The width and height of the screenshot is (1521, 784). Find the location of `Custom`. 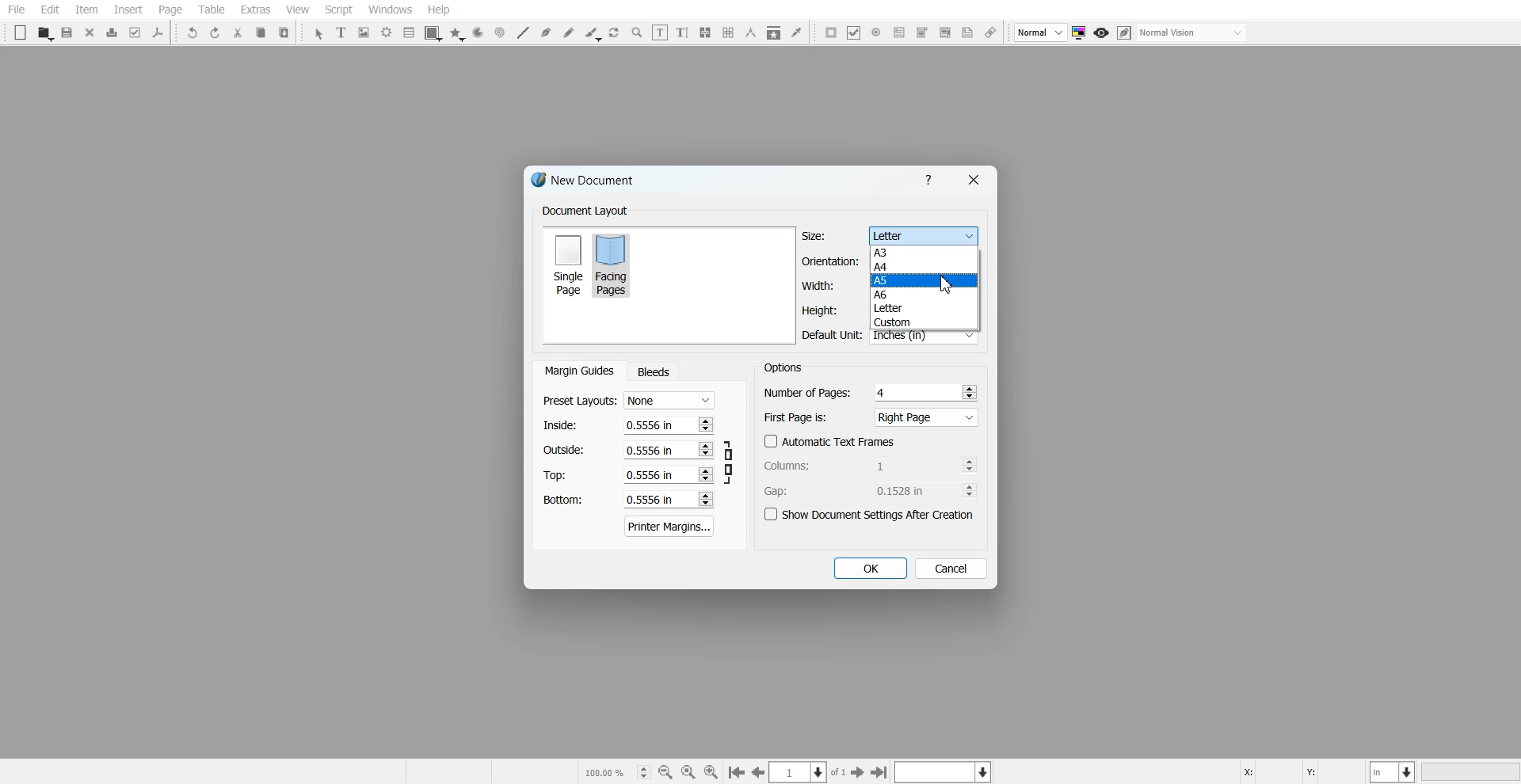

Custom is located at coordinates (925, 322).